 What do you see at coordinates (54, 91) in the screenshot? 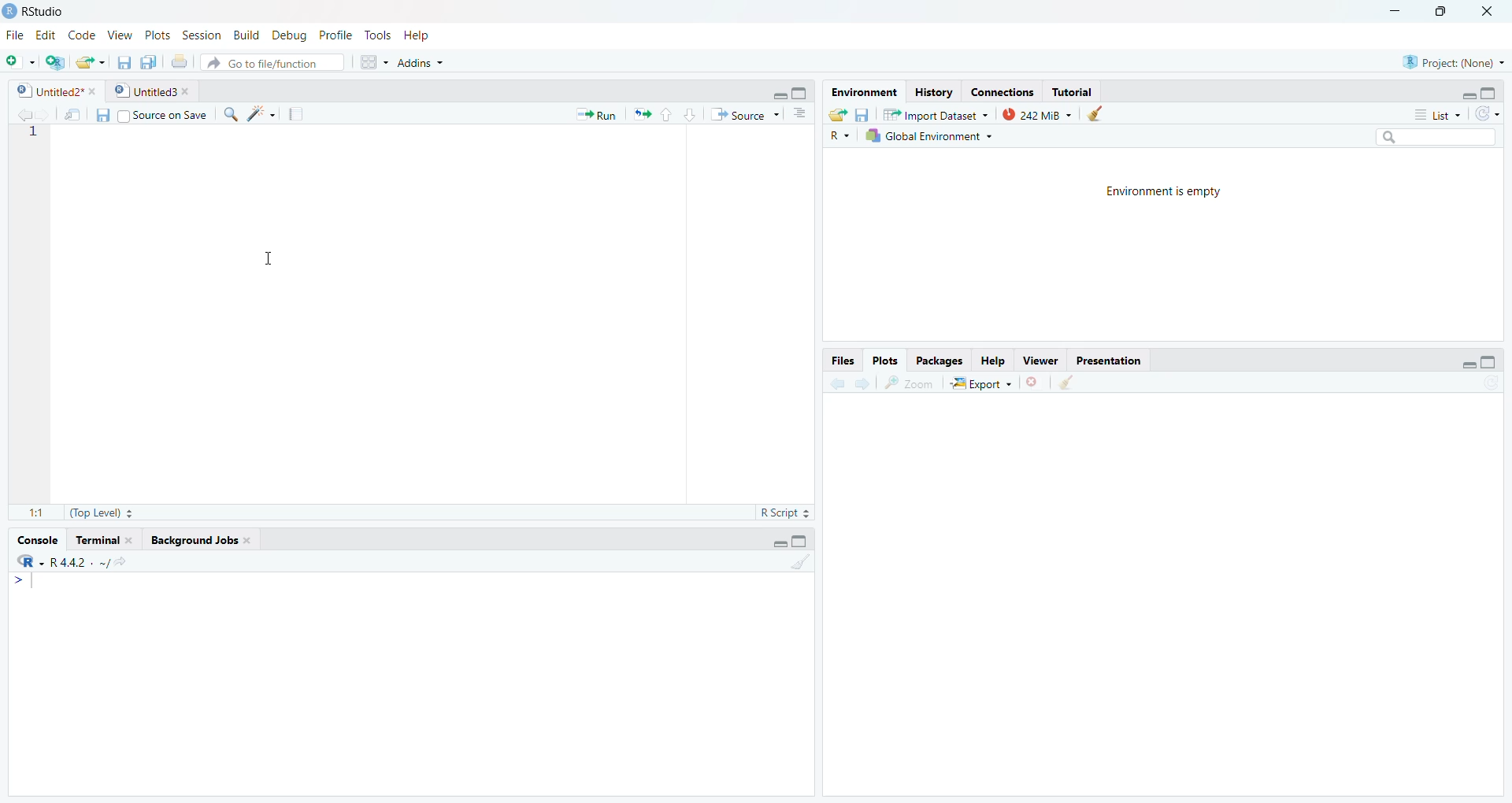
I see `0 | Untitled2*` at bounding box center [54, 91].